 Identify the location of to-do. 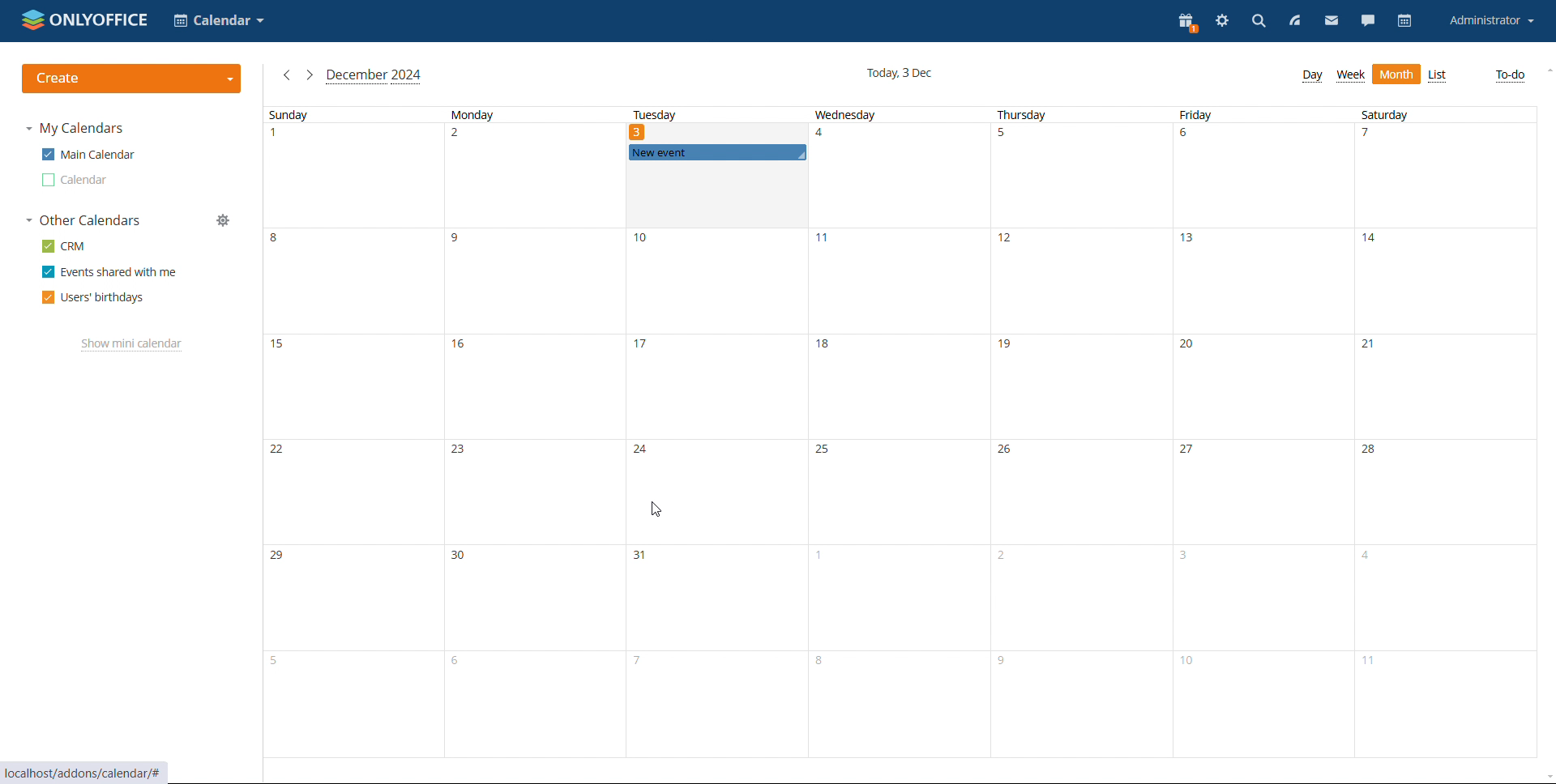
(1511, 76).